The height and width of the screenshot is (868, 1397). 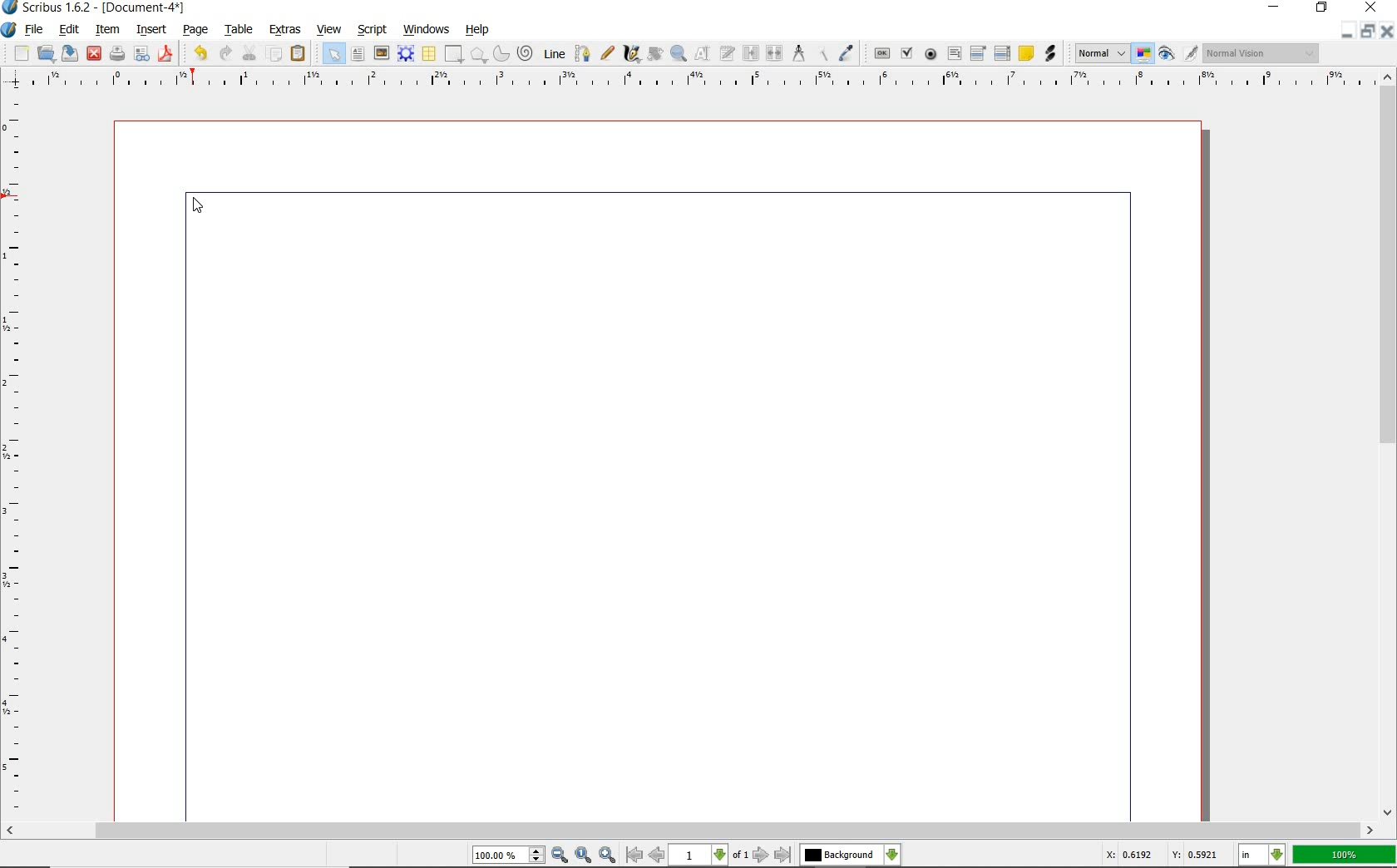 I want to click on Bezier curve, so click(x=584, y=52).